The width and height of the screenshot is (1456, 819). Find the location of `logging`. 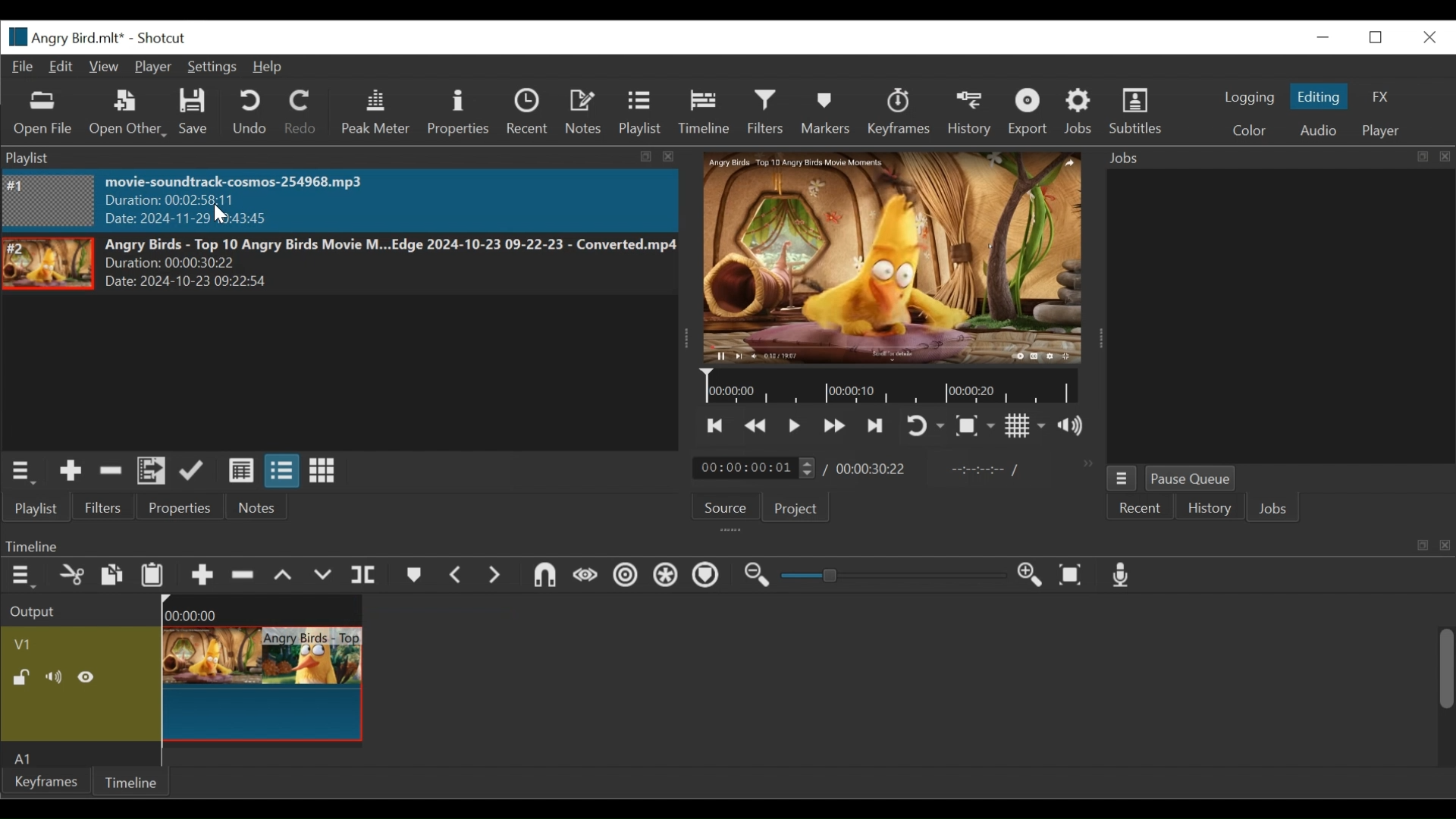

logging is located at coordinates (1250, 97).